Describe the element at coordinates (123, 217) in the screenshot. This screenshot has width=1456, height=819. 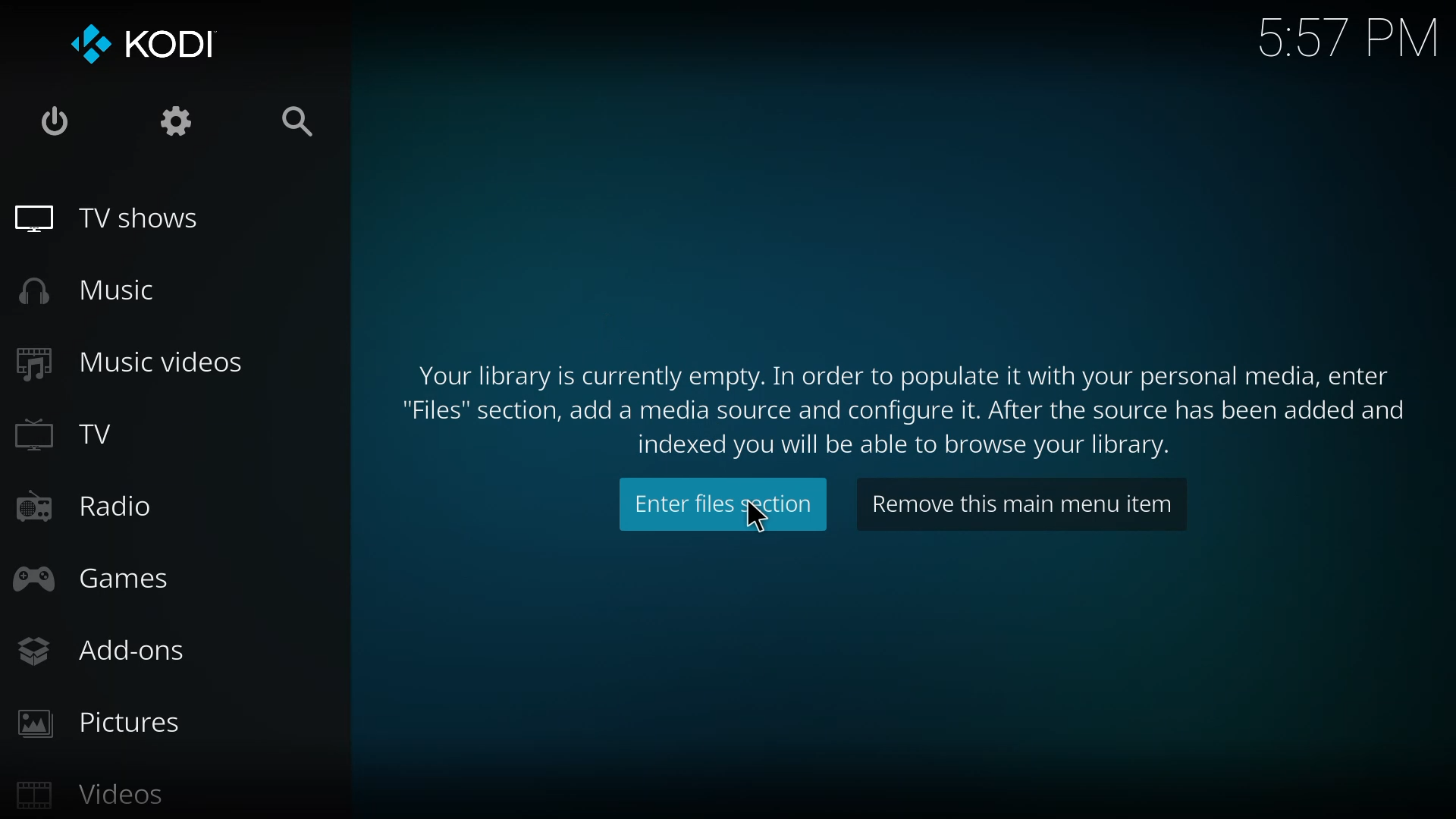
I see `tv shows` at that location.